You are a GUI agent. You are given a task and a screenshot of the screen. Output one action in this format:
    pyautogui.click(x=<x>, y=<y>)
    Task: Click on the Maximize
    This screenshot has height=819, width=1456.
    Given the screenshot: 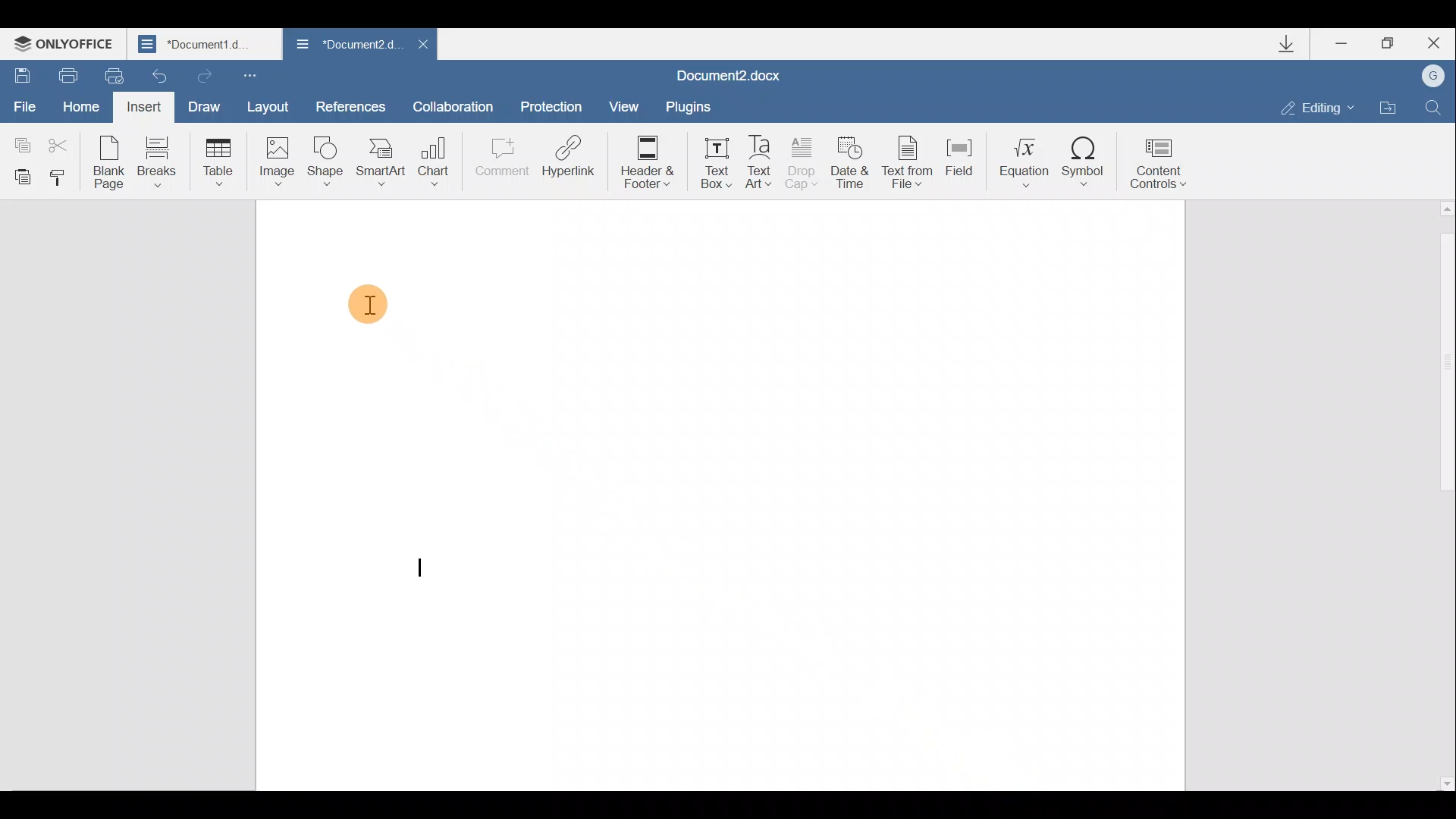 What is the action you would take?
    pyautogui.click(x=1394, y=42)
    